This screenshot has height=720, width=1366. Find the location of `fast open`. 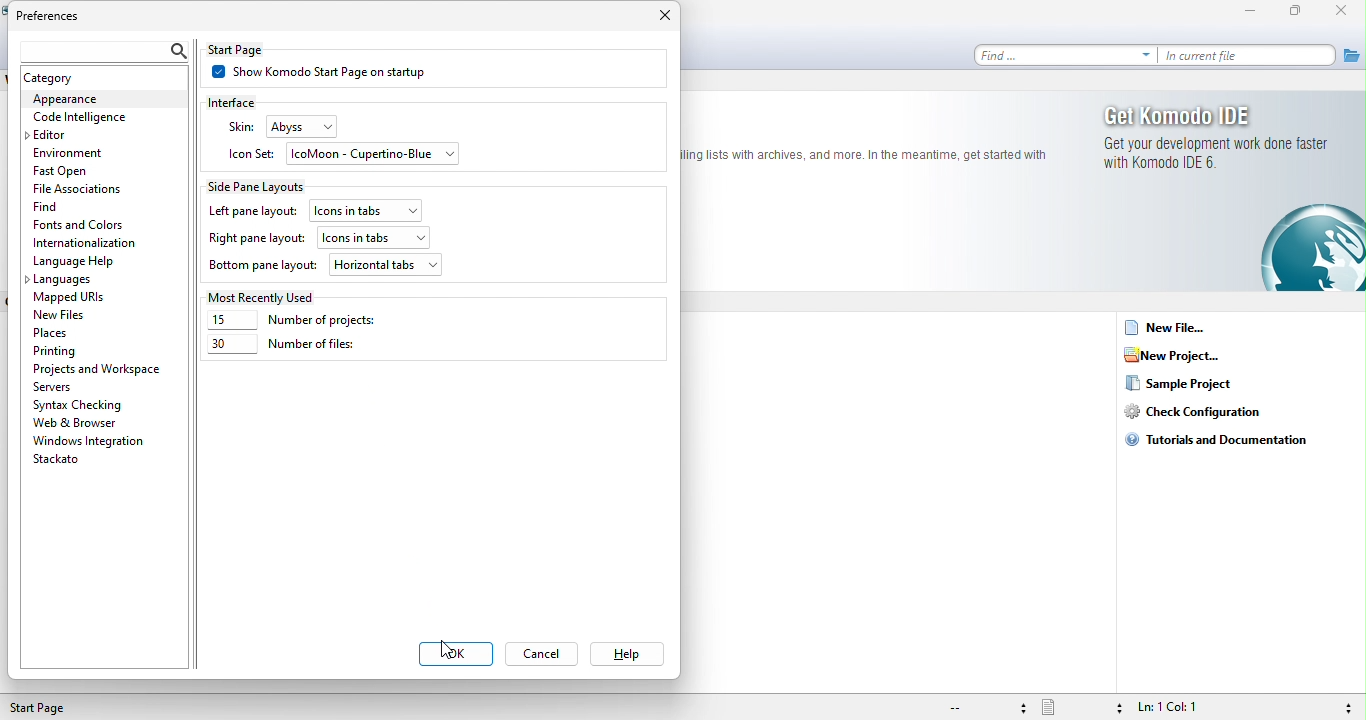

fast open is located at coordinates (86, 173).